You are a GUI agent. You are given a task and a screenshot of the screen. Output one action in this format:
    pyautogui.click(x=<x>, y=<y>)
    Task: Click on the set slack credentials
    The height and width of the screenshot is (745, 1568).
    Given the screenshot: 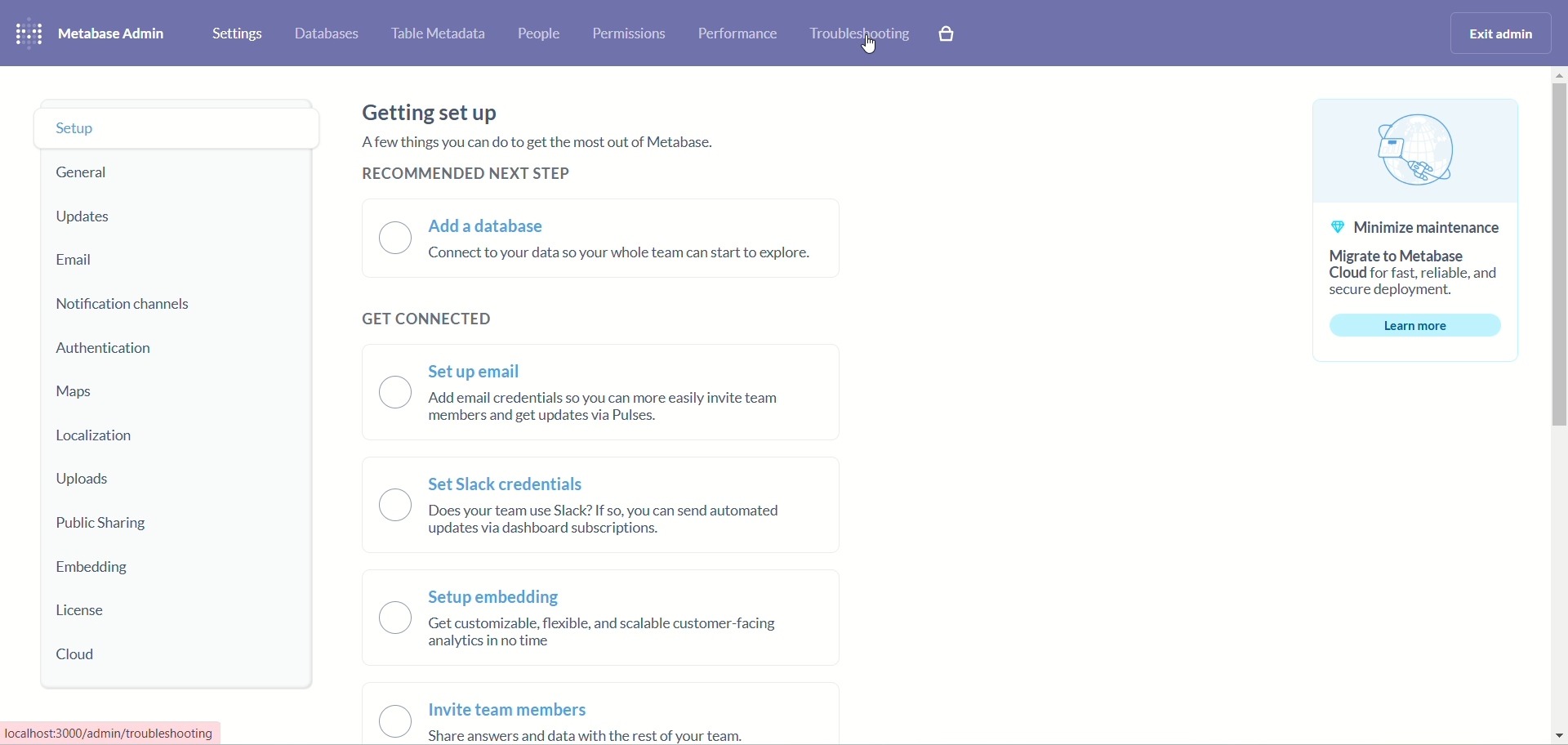 What is the action you would take?
    pyautogui.click(x=613, y=509)
    